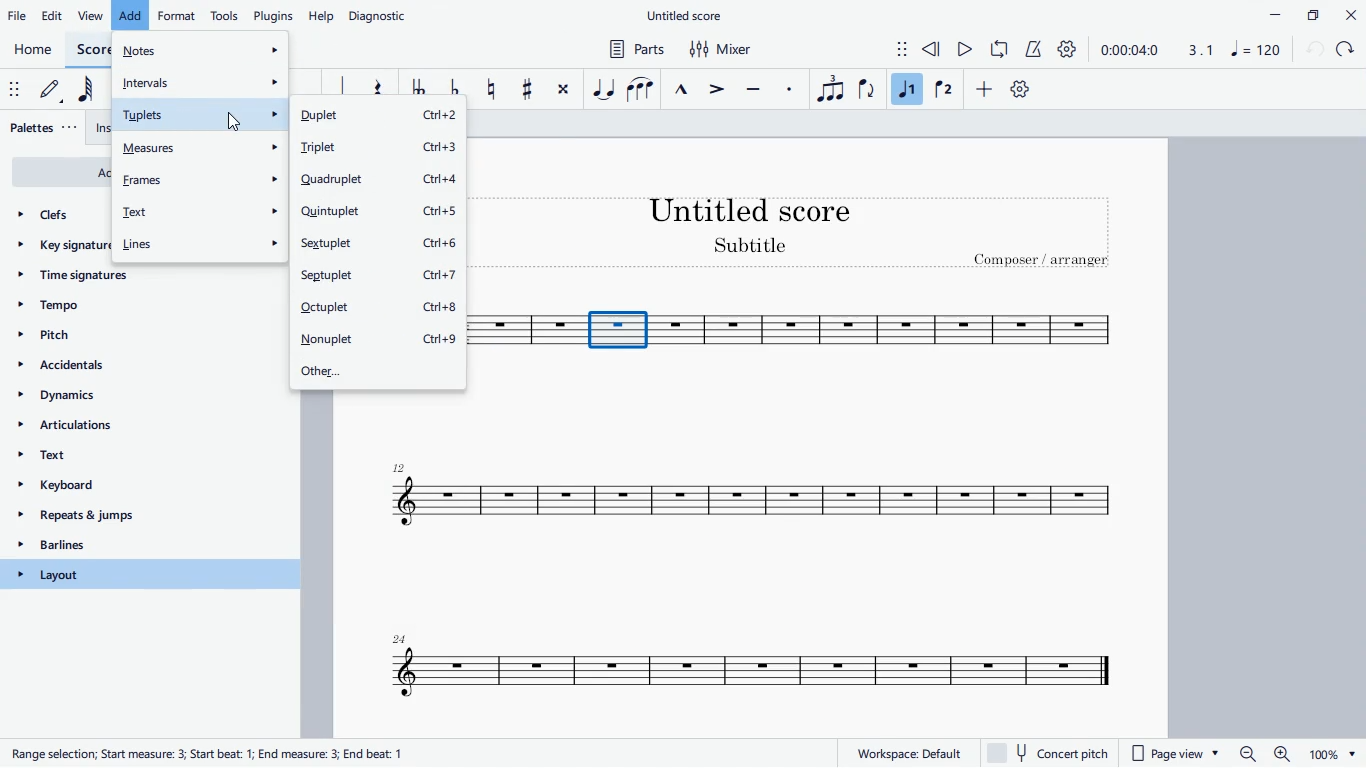 This screenshot has width=1366, height=768. What do you see at coordinates (932, 50) in the screenshot?
I see `rewind` at bounding box center [932, 50].